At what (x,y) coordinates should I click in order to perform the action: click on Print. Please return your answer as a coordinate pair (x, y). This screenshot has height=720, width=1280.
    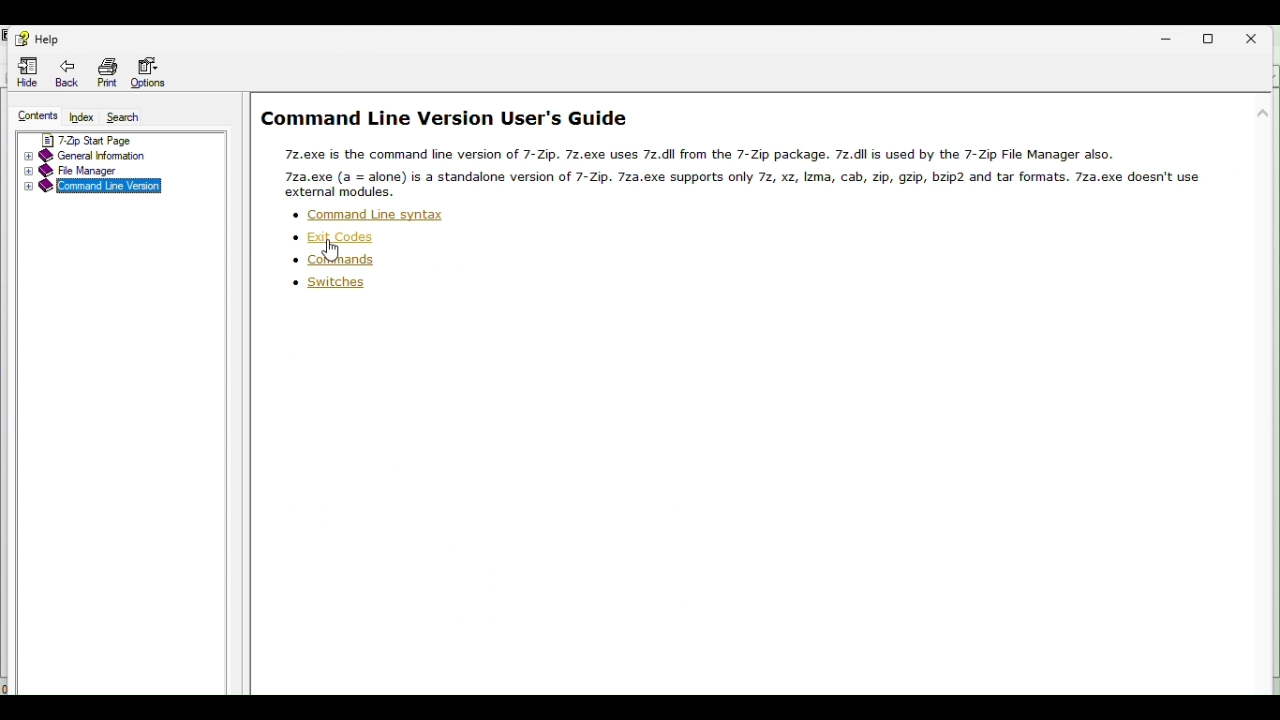
    Looking at the image, I should click on (108, 72).